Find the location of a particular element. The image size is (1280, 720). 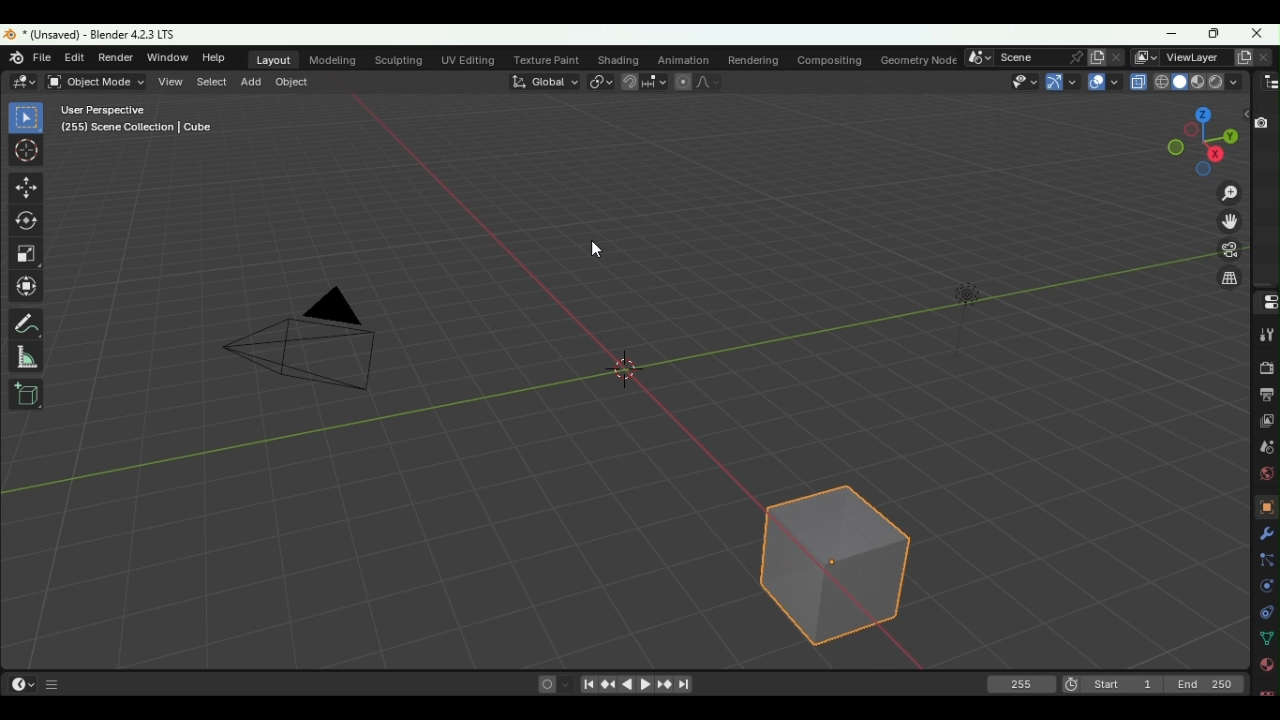

Minimize is located at coordinates (1170, 35).